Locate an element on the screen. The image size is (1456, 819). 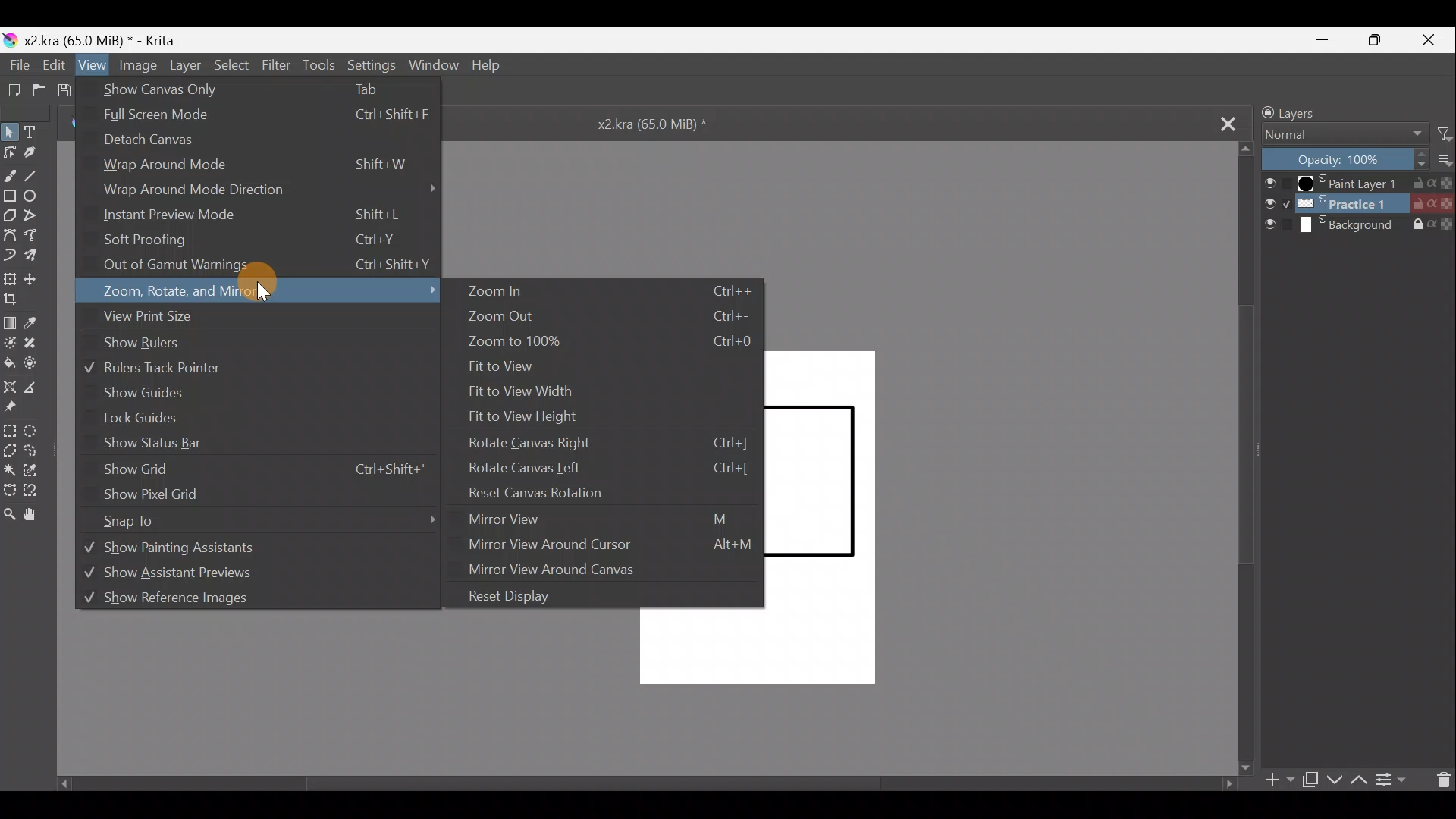
Similar colour selection tool is located at coordinates (40, 472).